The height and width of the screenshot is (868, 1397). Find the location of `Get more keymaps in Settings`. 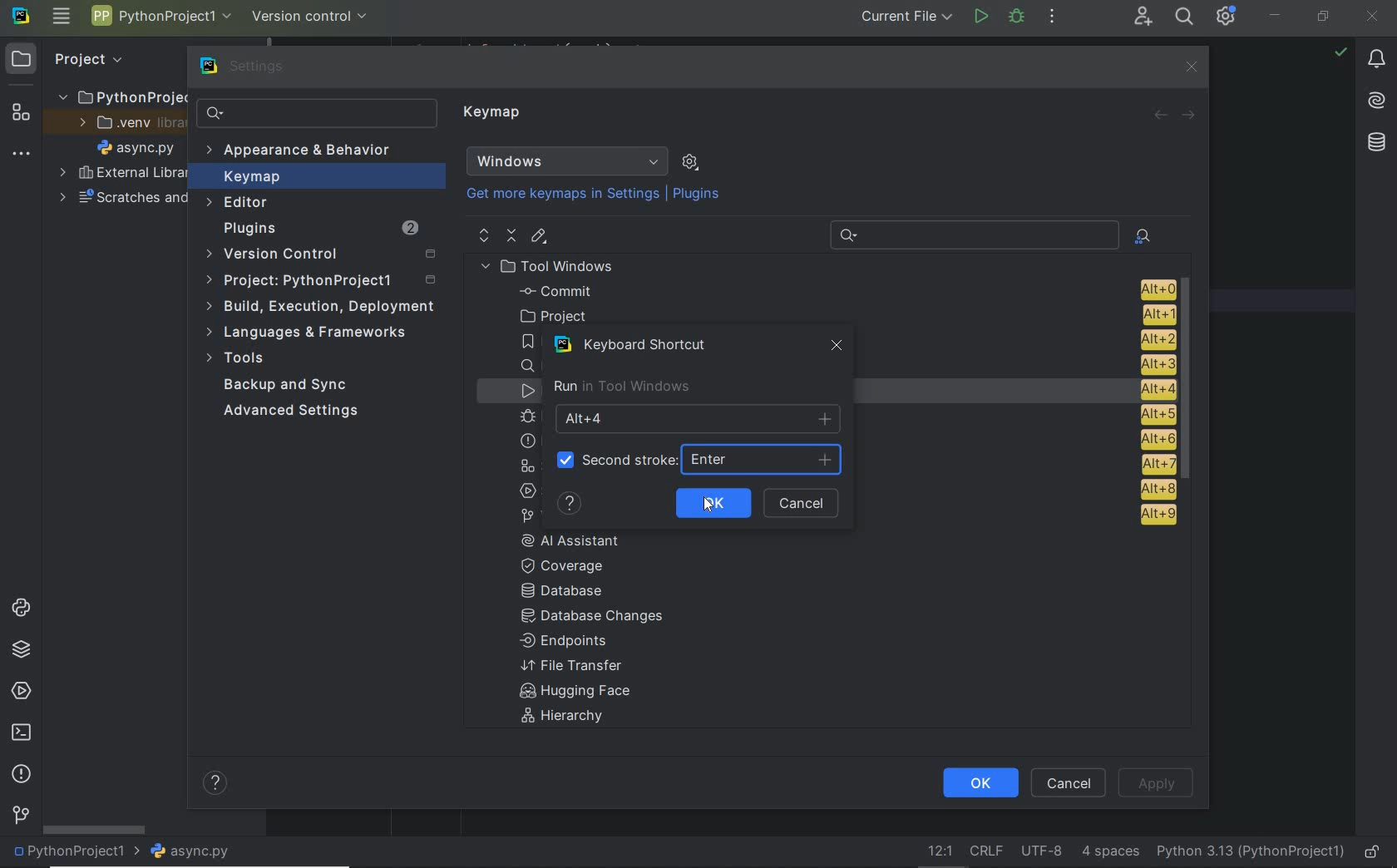

Get more keymaps in Settings is located at coordinates (555, 195).